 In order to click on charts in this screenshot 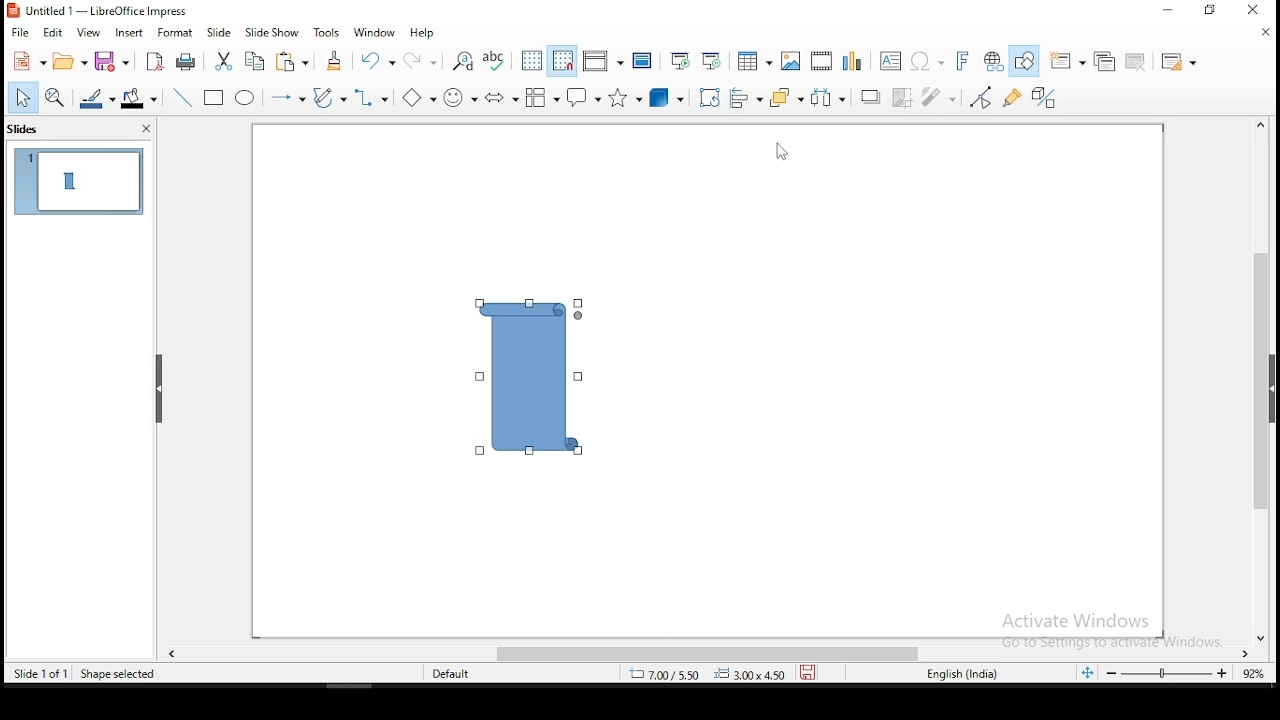, I will do `click(852, 58)`.